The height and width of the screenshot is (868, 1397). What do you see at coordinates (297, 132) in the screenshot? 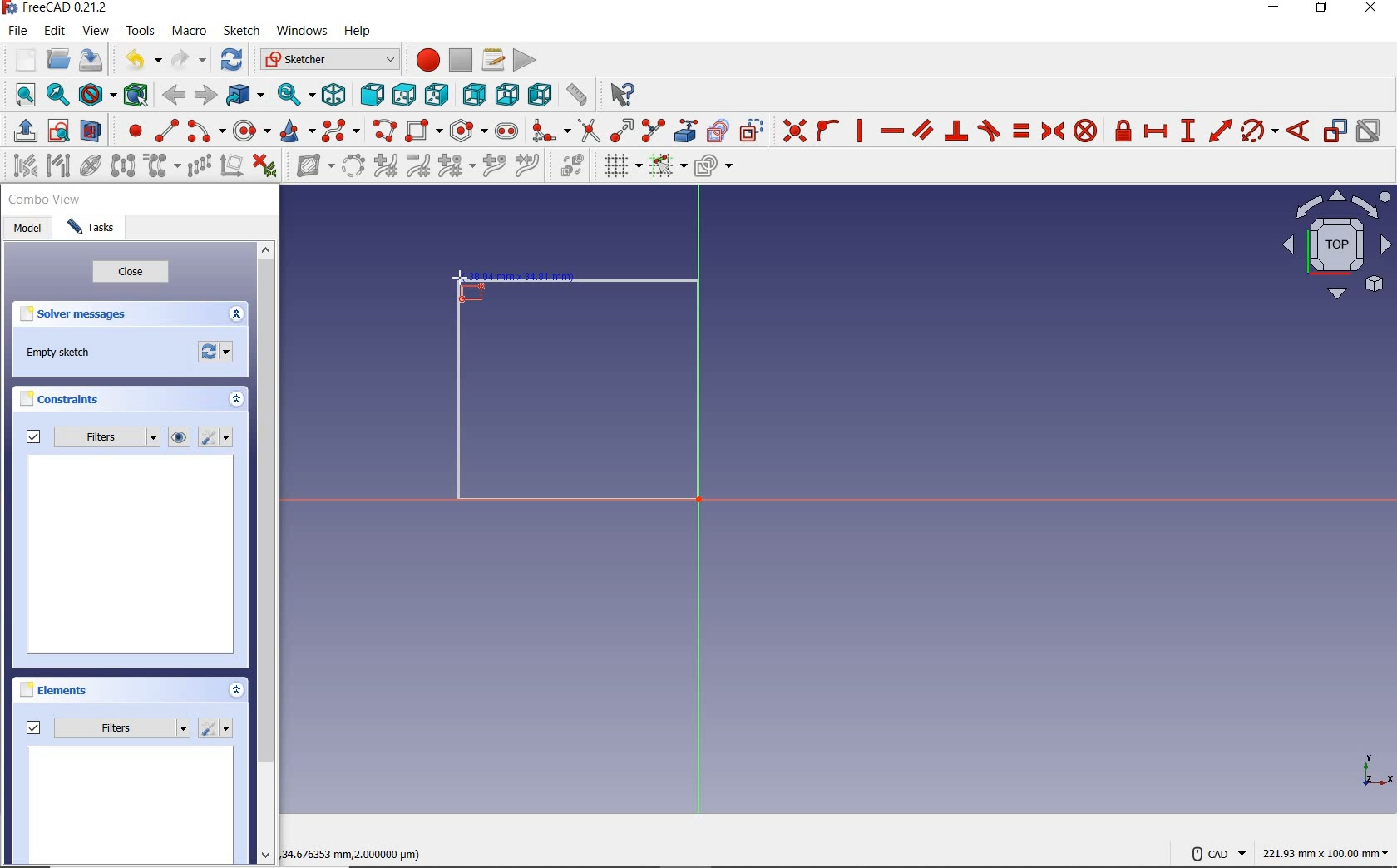
I see `create conic` at bounding box center [297, 132].